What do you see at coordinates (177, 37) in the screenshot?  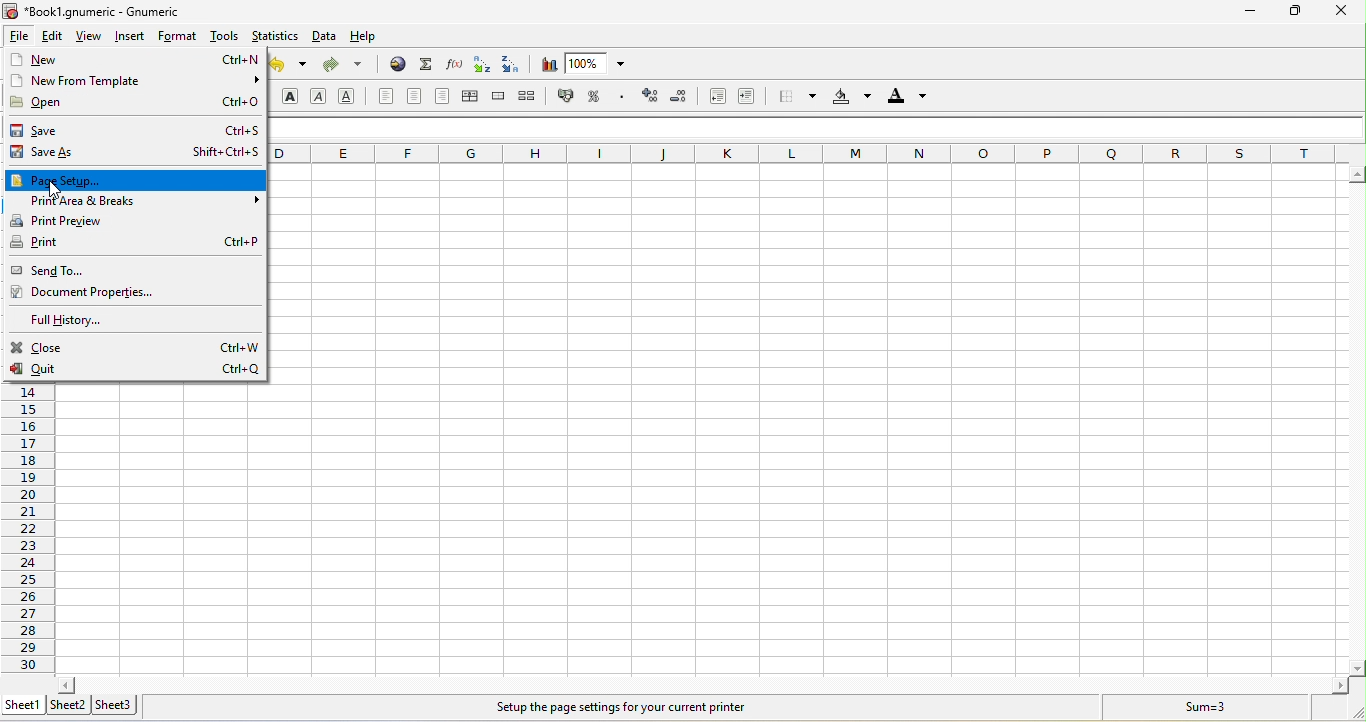 I see `format` at bounding box center [177, 37].